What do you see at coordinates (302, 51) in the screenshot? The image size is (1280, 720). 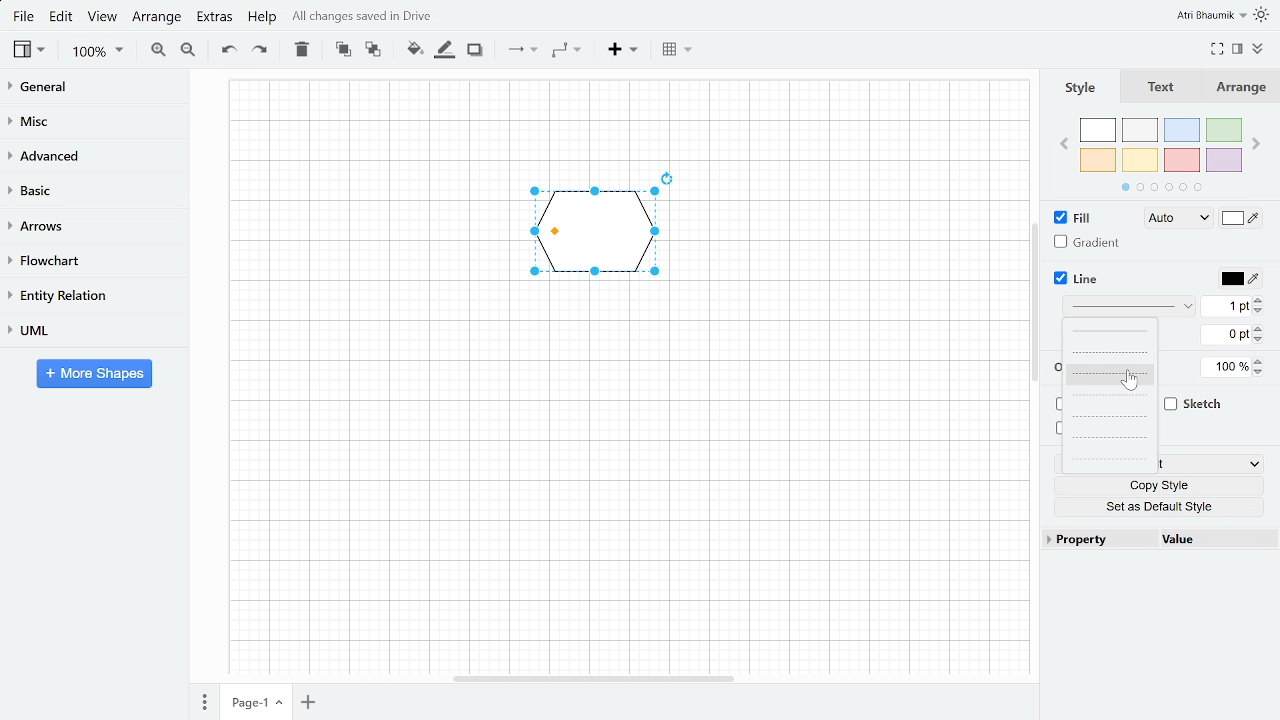 I see `Delete` at bounding box center [302, 51].